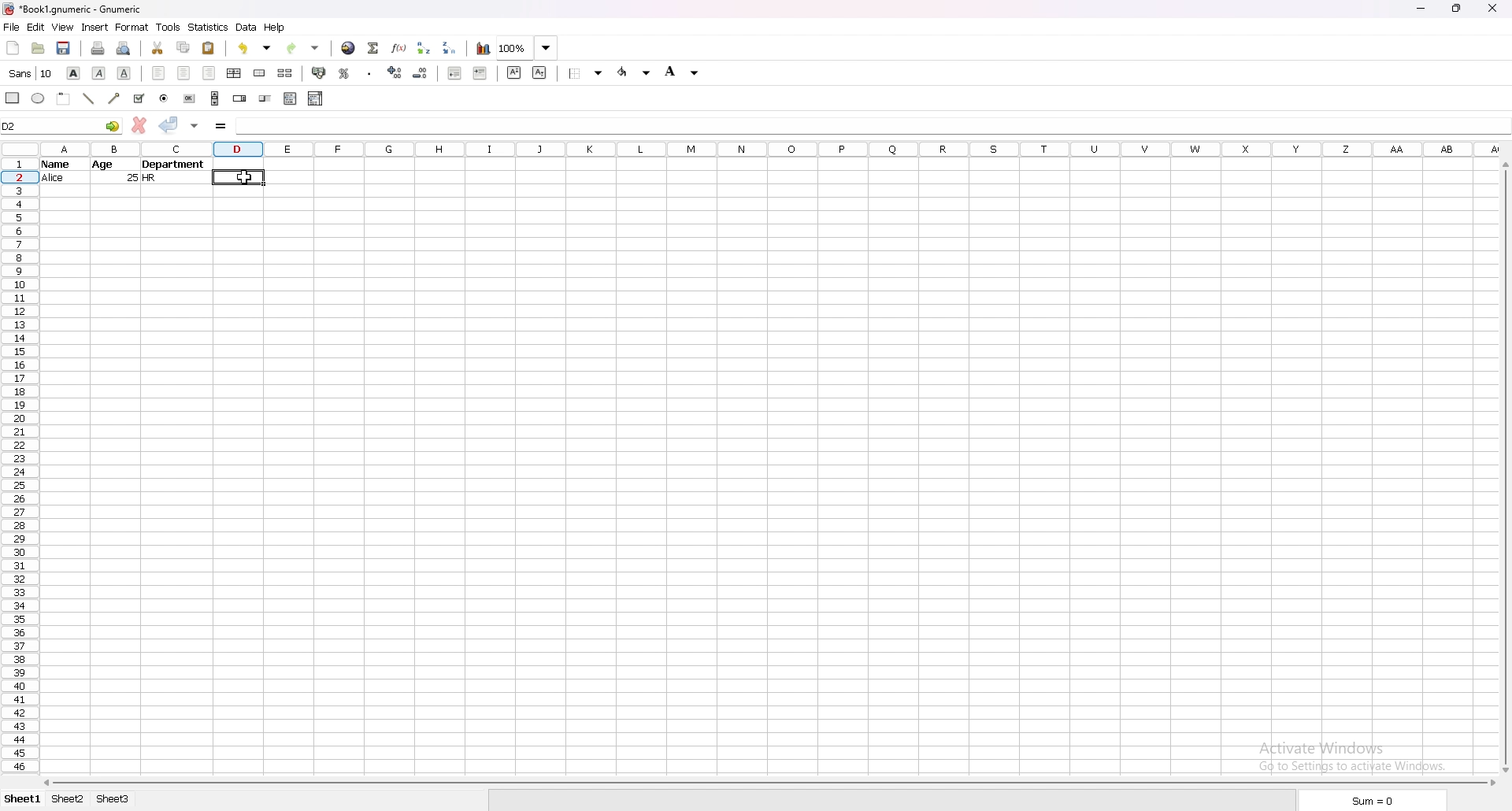  I want to click on zoom, so click(528, 48).